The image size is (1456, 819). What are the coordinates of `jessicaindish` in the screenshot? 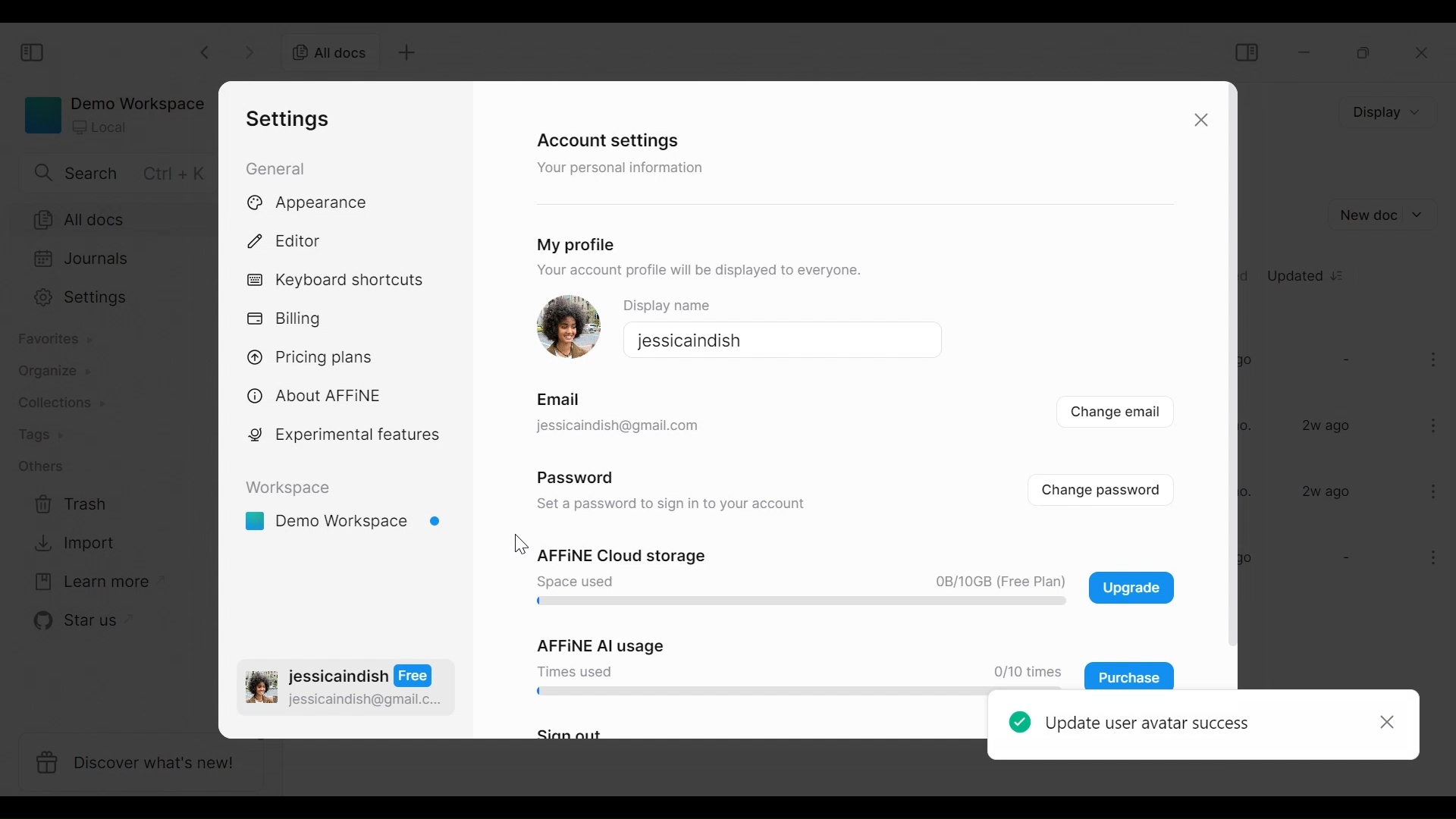 It's located at (362, 676).